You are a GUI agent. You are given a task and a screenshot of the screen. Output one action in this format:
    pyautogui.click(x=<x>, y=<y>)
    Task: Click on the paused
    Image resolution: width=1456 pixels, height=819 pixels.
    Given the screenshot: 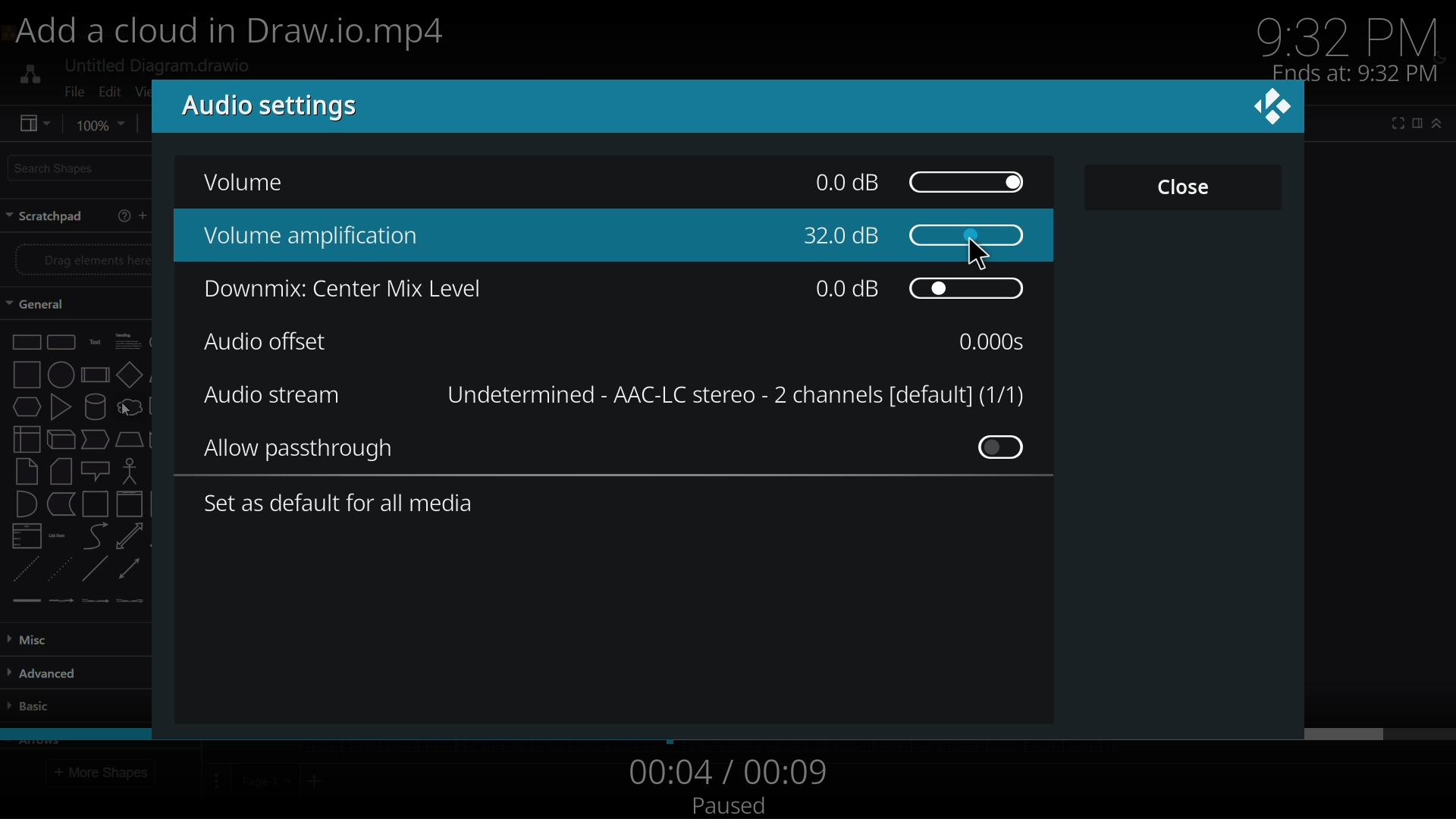 What is the action you would take?
    pyautogui.click(x=731, y=806)
    